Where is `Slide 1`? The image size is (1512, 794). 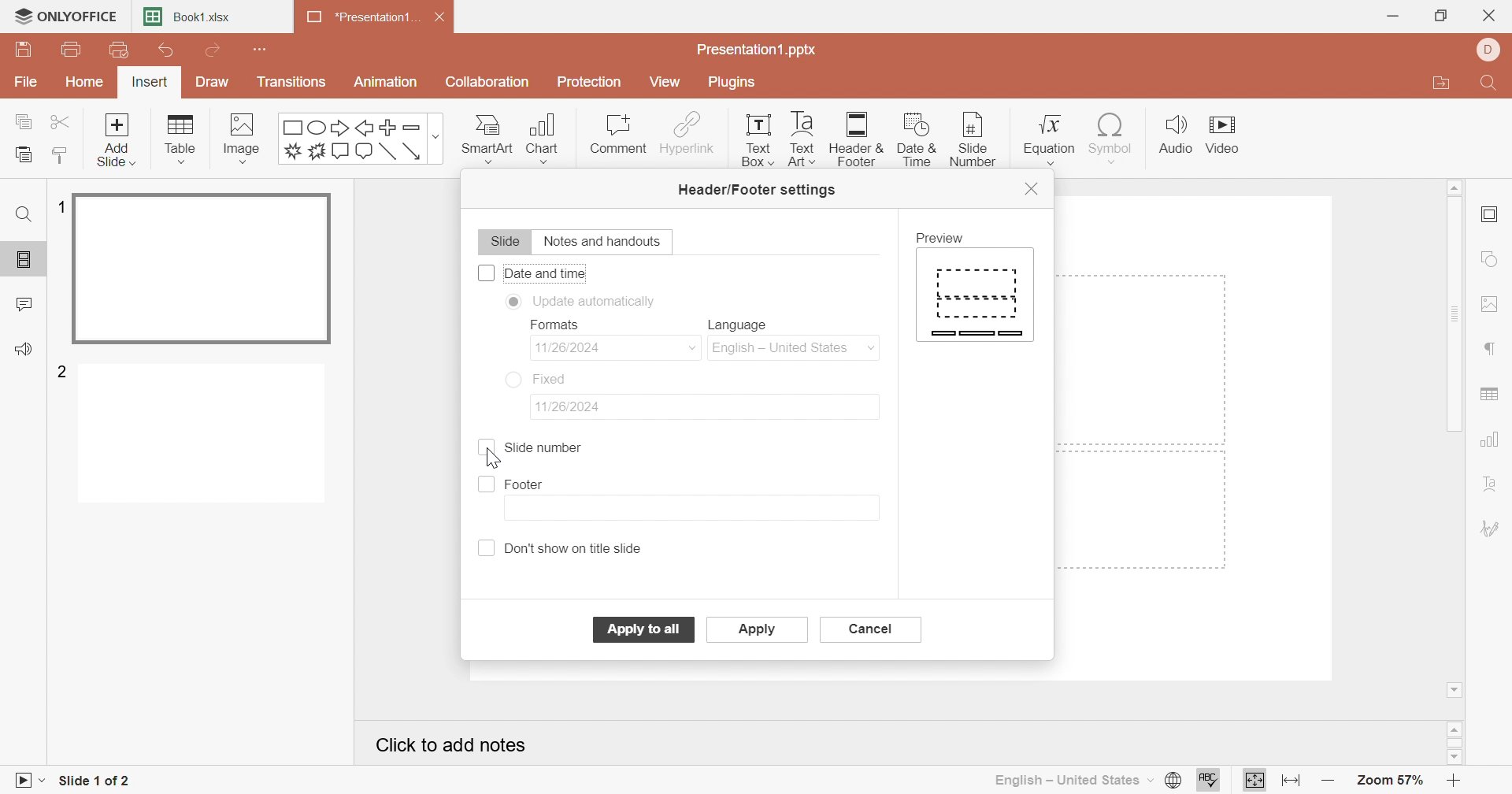
Slide 1 is located at coordinates (205, 270).